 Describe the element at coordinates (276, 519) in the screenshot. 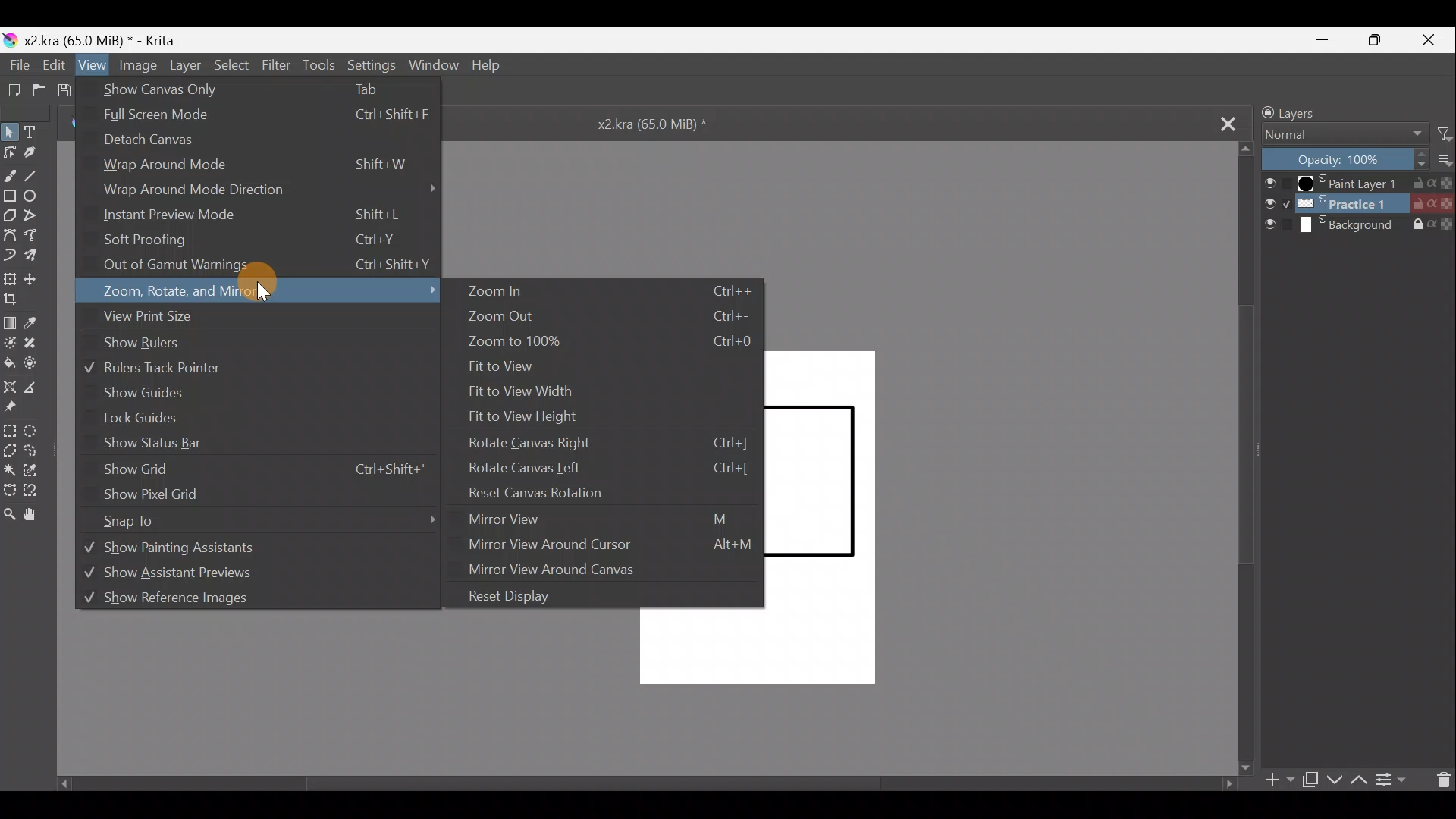

I see `Snap to` at that location.